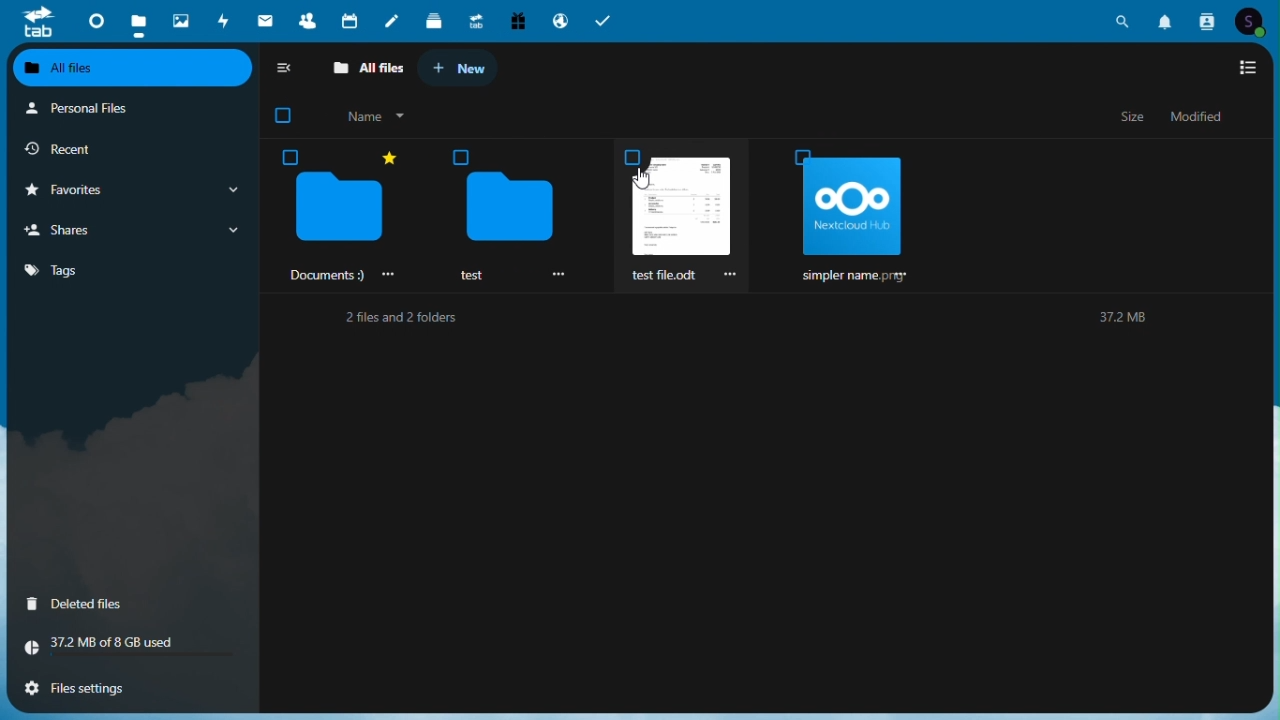 This screenshot has width=1280, height=720. I want to click on mail, so click(267, 19).